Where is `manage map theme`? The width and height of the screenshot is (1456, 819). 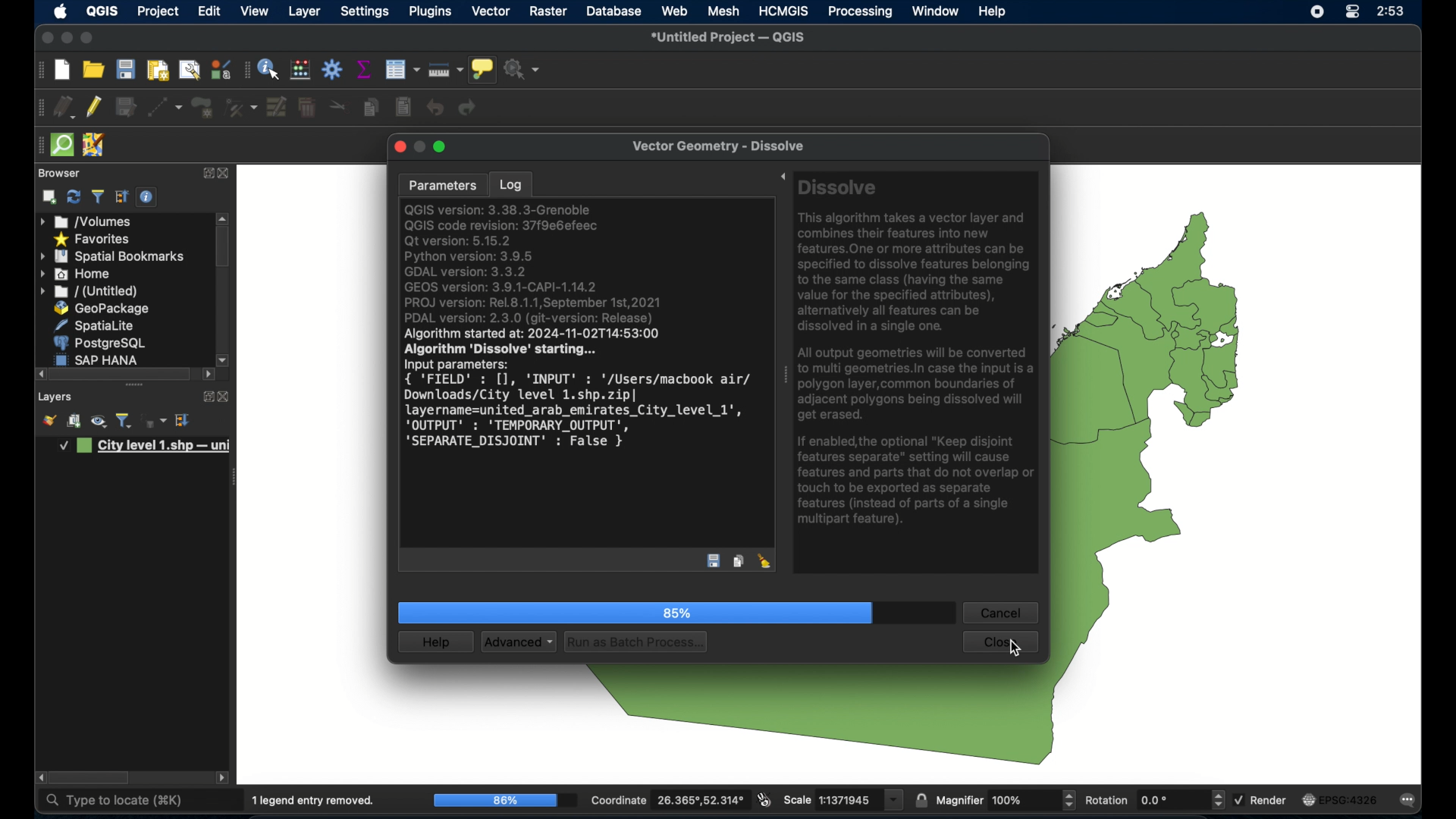
manage map theme is located at coordinates (98, 423).